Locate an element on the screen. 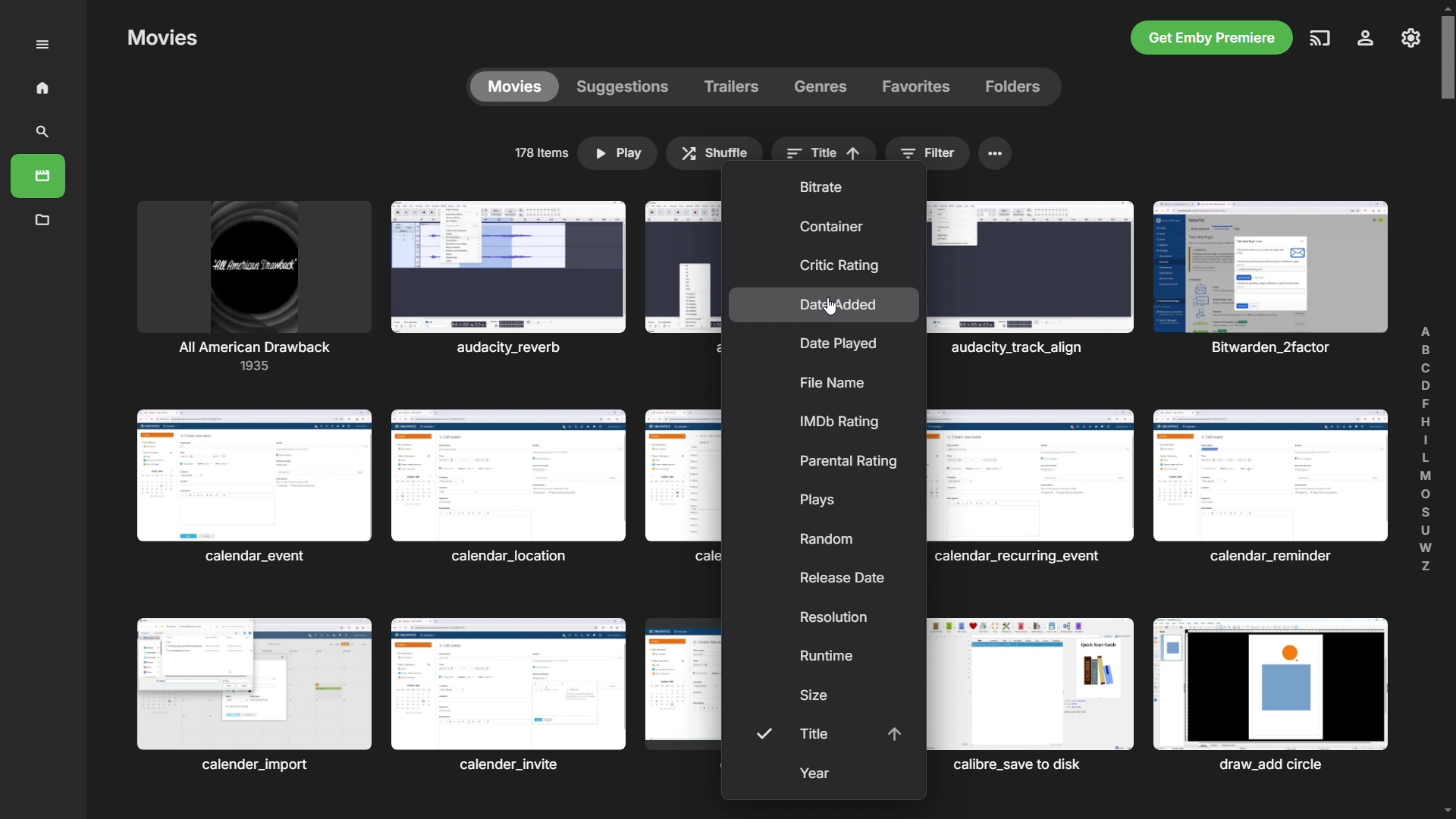 The image size is (1456, 819).  is located at coordinates (508, 697).